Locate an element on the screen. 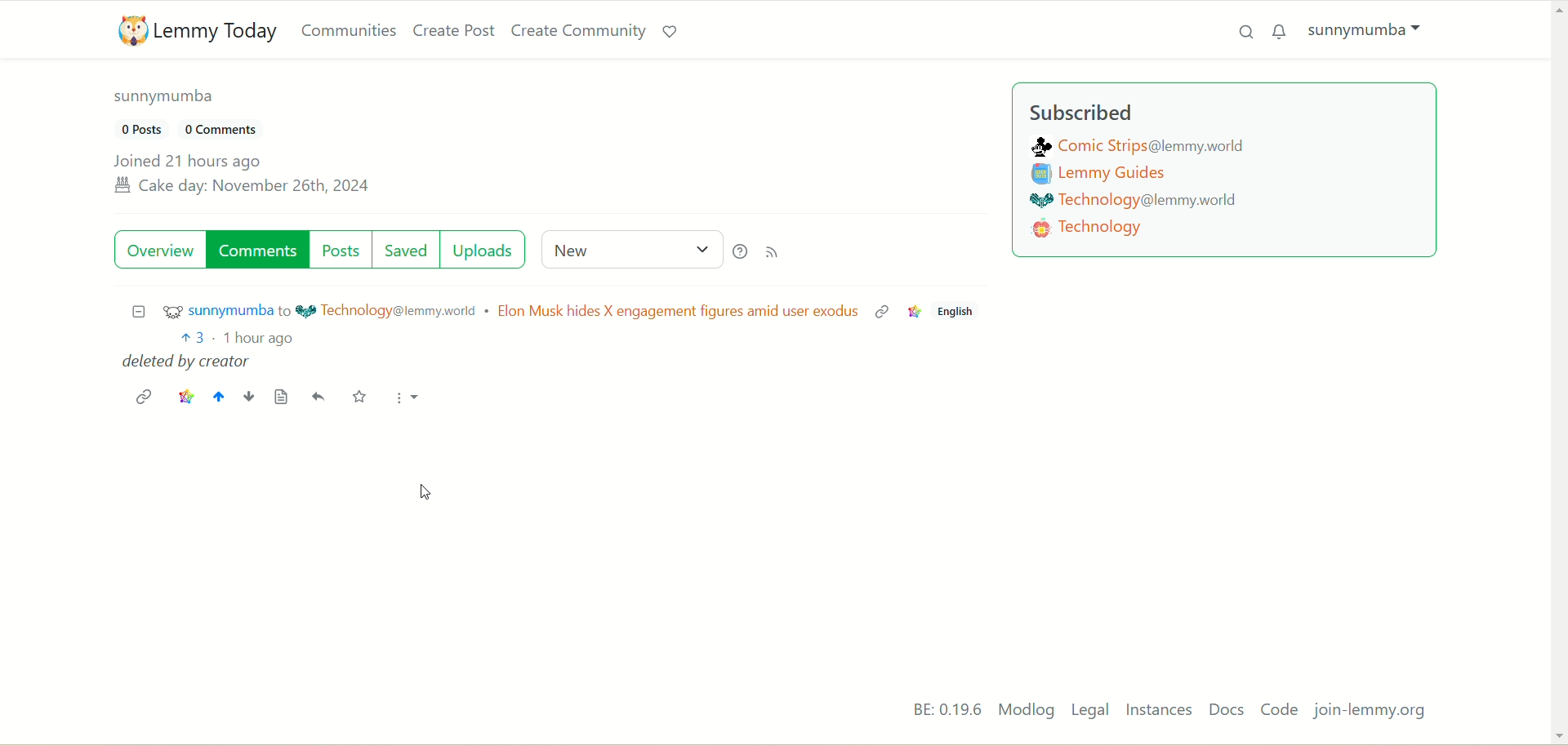 The height and width of the screenshot is (746, 1568). help is located at coordinates (739, 250).